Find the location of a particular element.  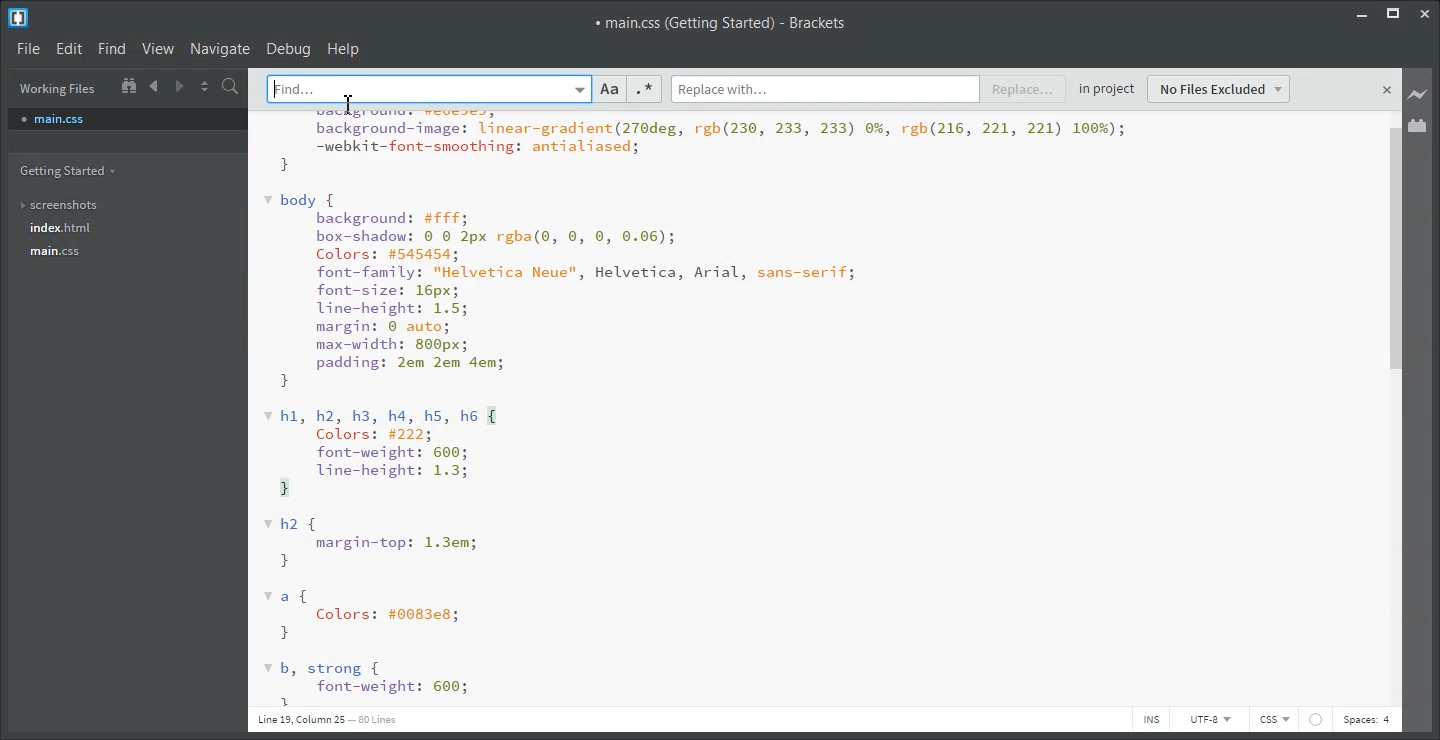

UTF-8 is located at coordinates (1208, 719).